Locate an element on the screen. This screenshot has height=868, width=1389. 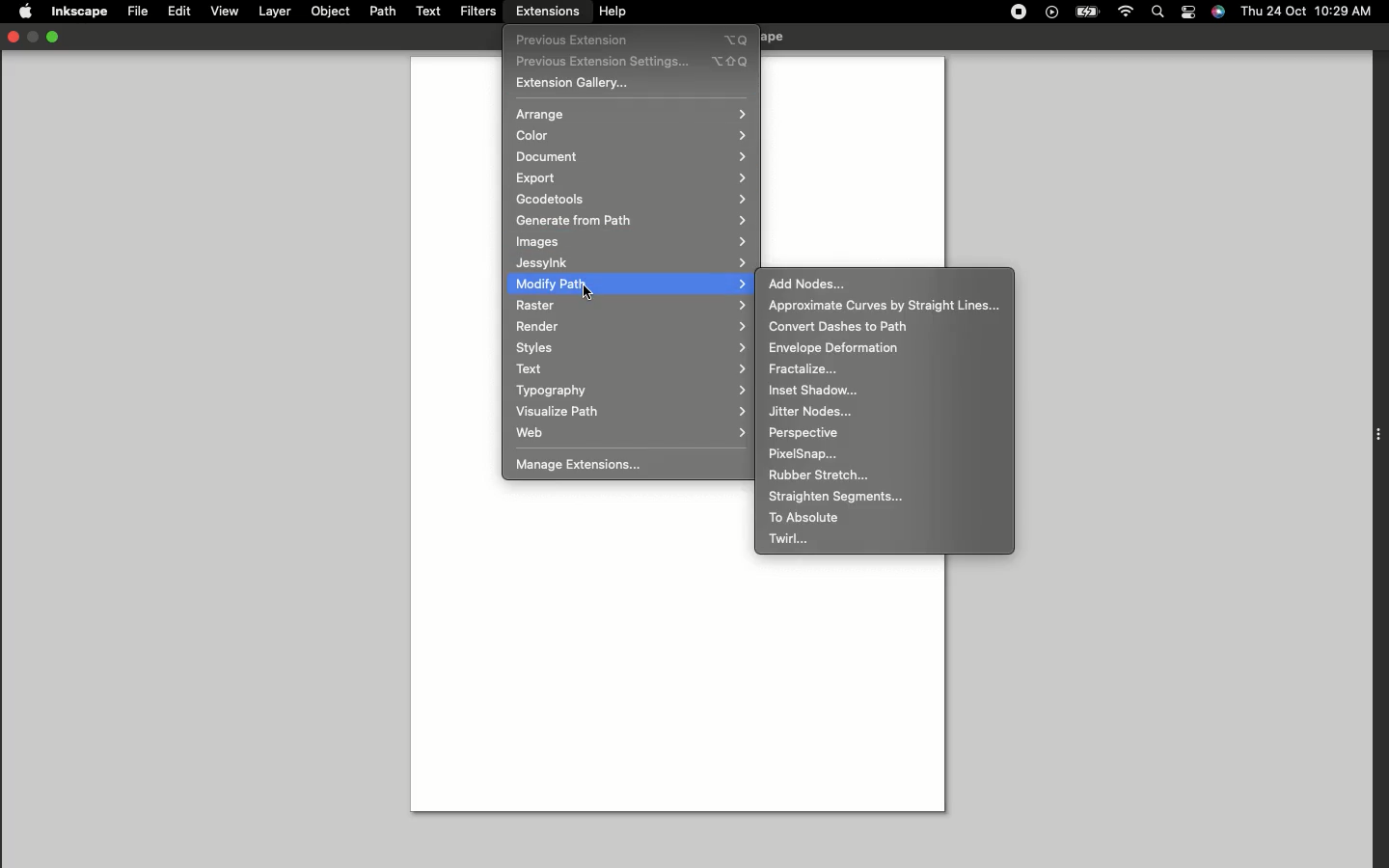
Edit is located at coordinates (183, 12).